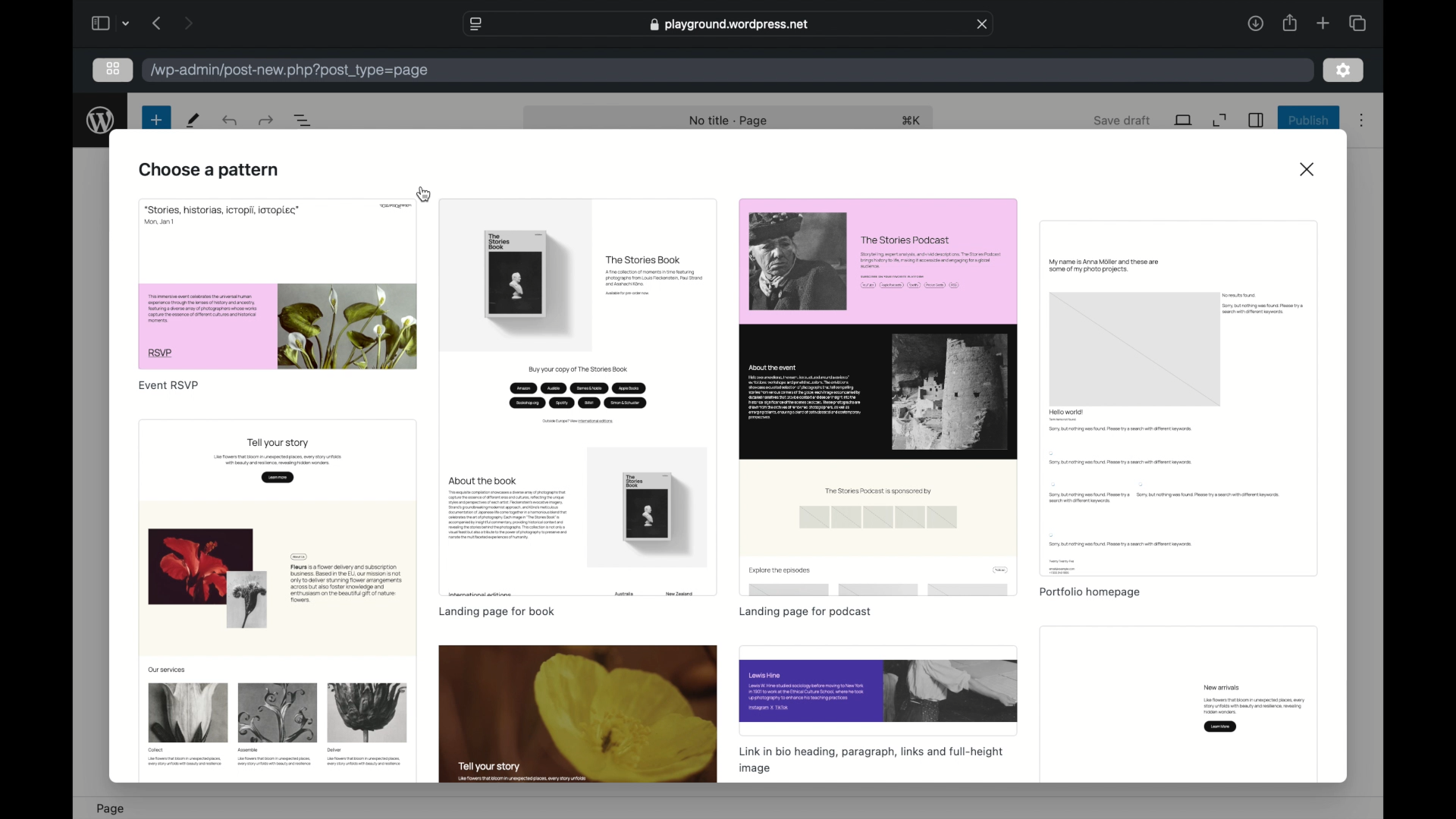  What do you see at coordinates (1323, 23) in the screenshot?
I see `new tab` at bounding box center [1323, 23].